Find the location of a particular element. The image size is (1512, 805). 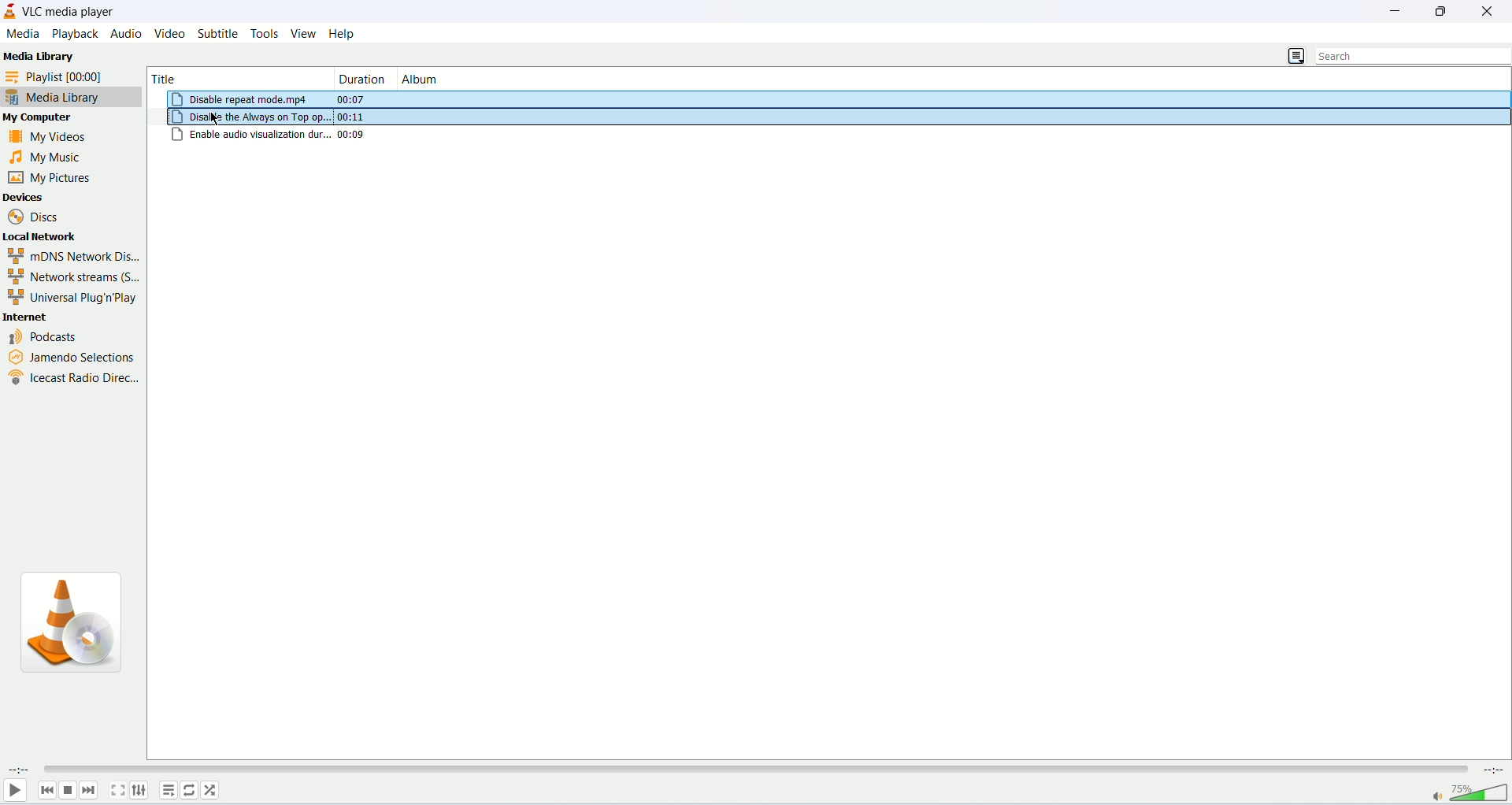

album is located at coordinates (467, 78).